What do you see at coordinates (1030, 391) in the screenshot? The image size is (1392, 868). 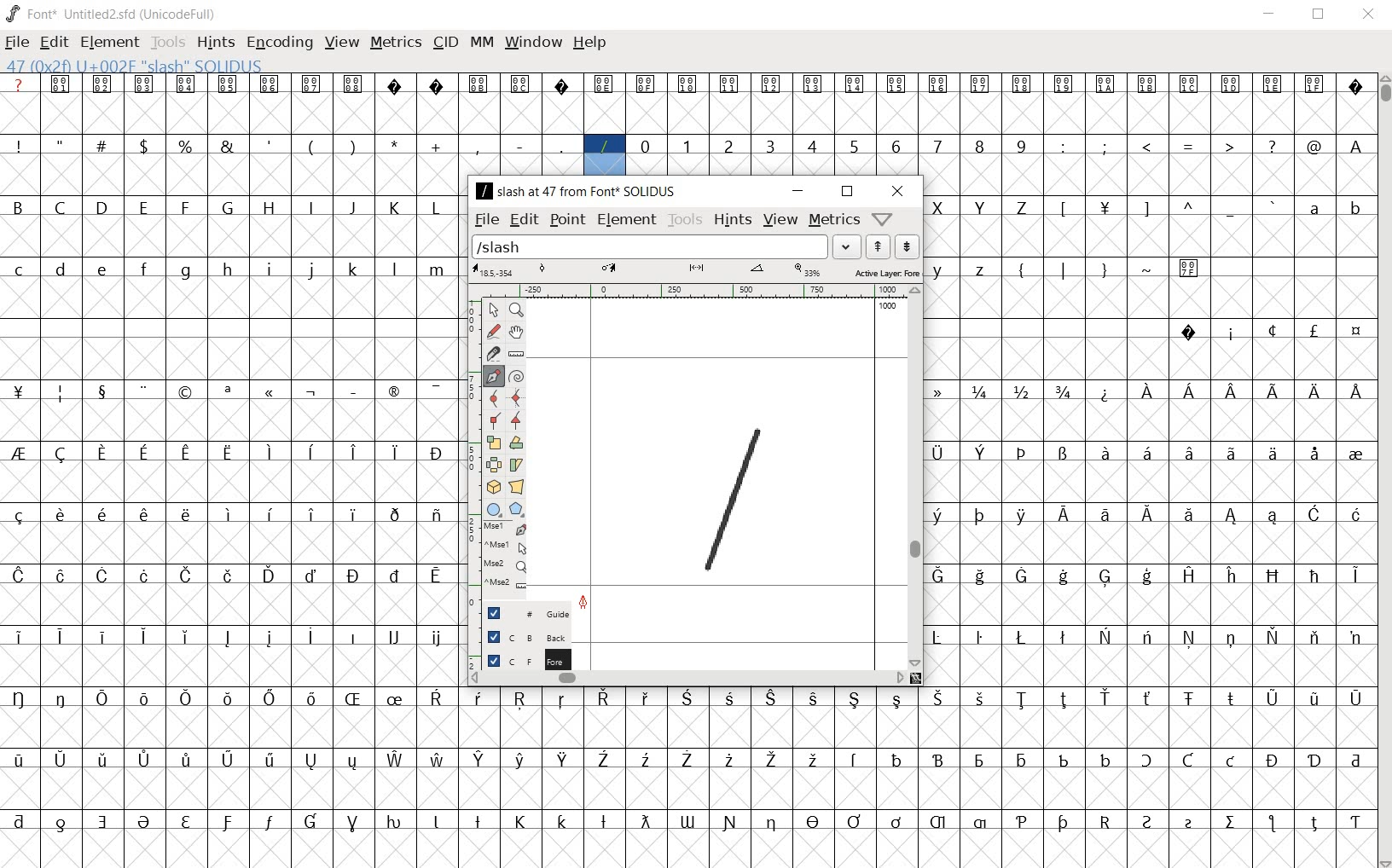 I see `fractions` at bounding box center [1030, 391].